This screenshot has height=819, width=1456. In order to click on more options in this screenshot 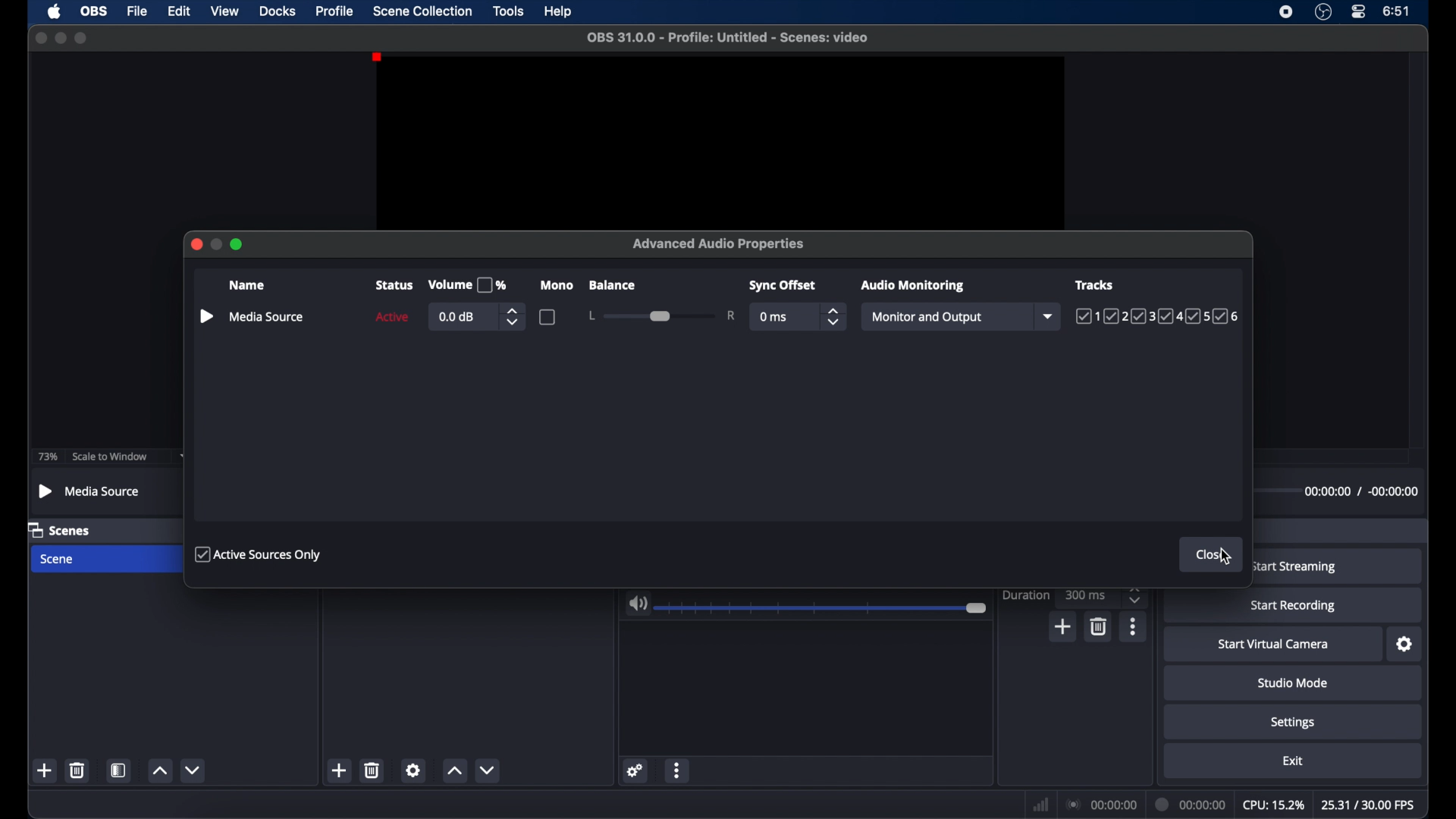, I will do `click(678, 771)`.